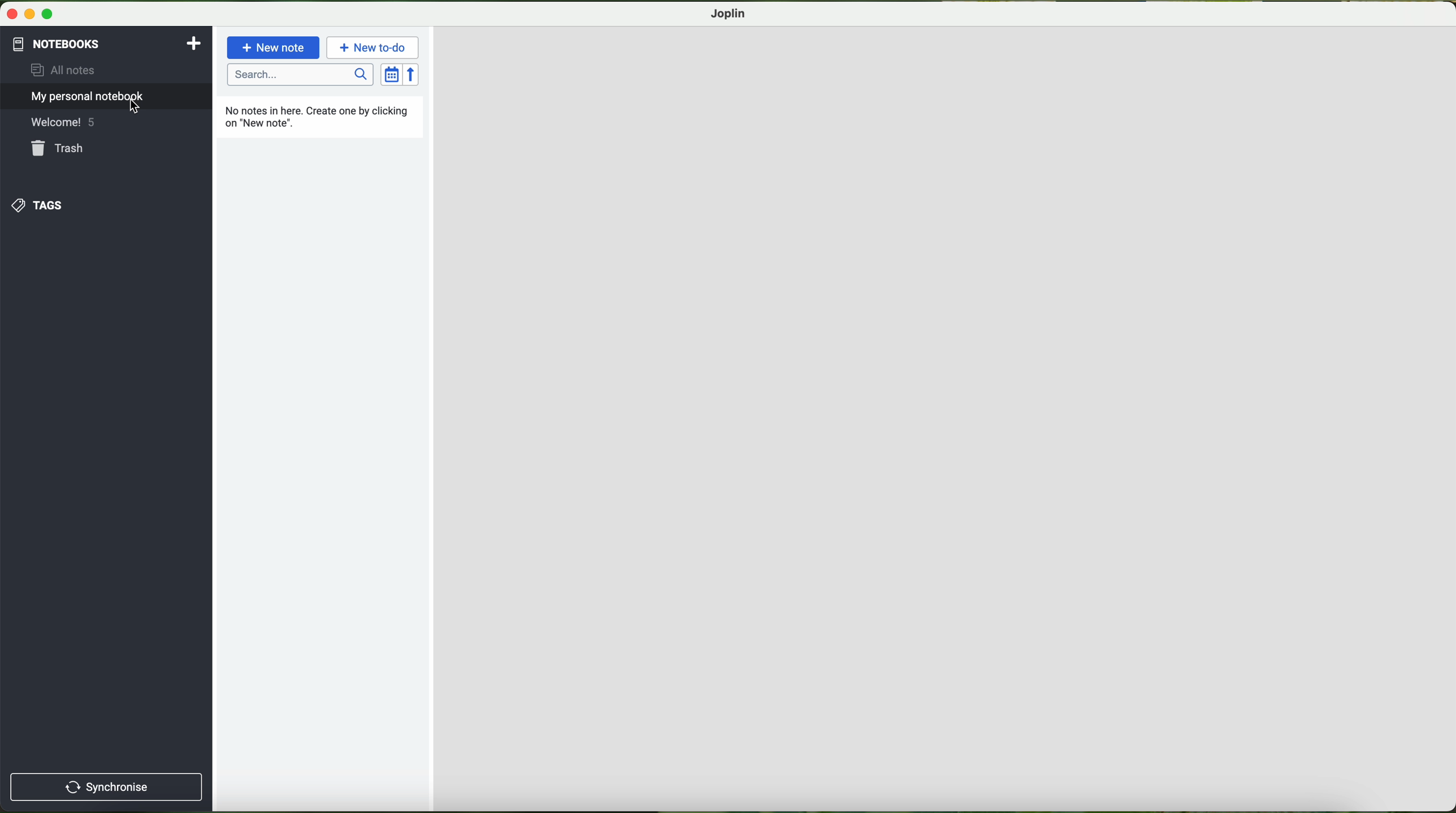 The image size is (1456, 813). Describe the element at coordinates (274, 47) in the screenshot. I see `new note button` at that location.